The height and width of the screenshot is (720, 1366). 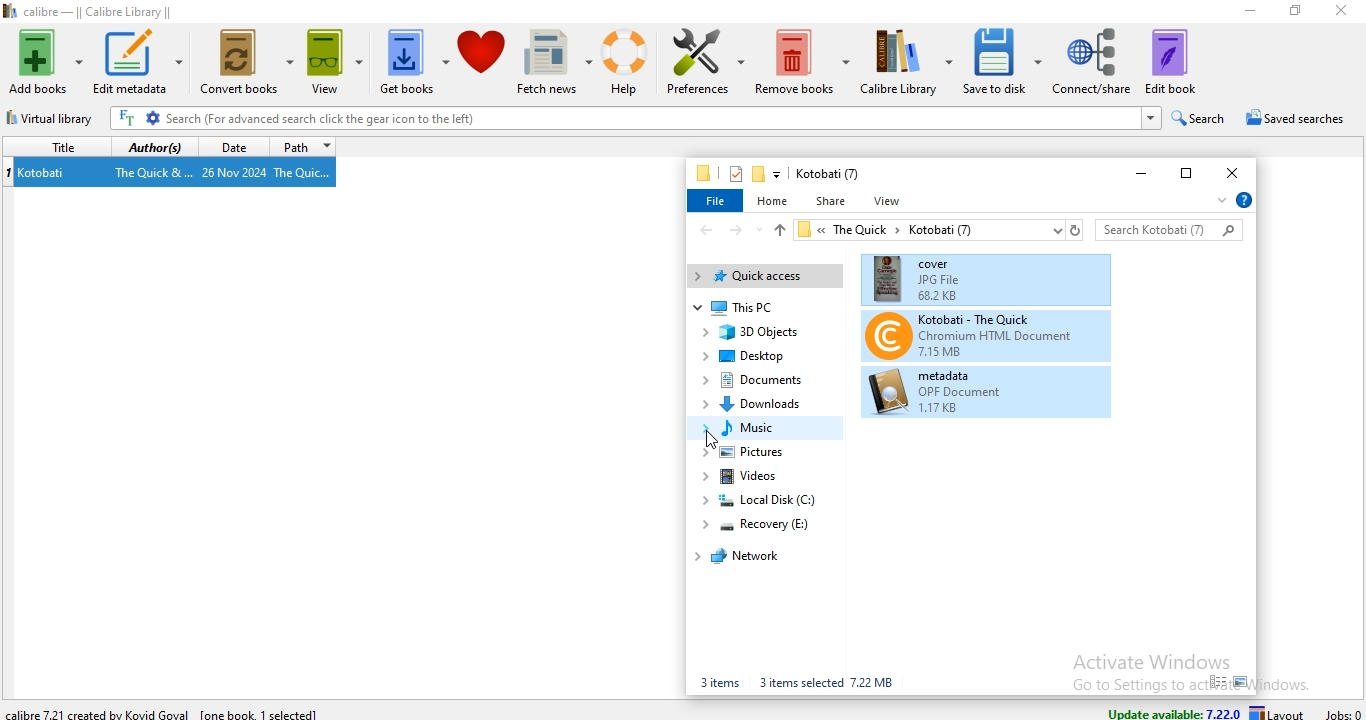 What do you see at coordinates (738, 231) in the screenshot?
I see `forward file path` at bounding box center [738, 231].